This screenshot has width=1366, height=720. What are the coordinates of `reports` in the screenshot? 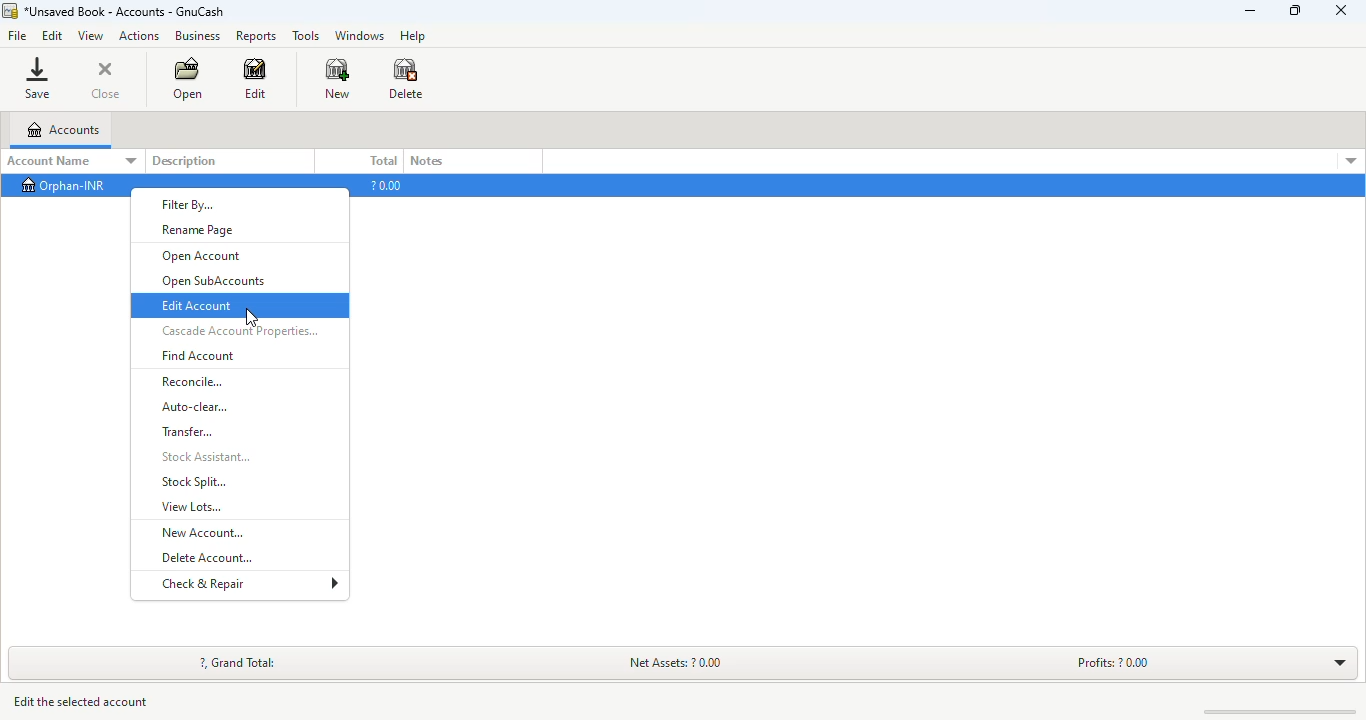 It's located at (255, 36).